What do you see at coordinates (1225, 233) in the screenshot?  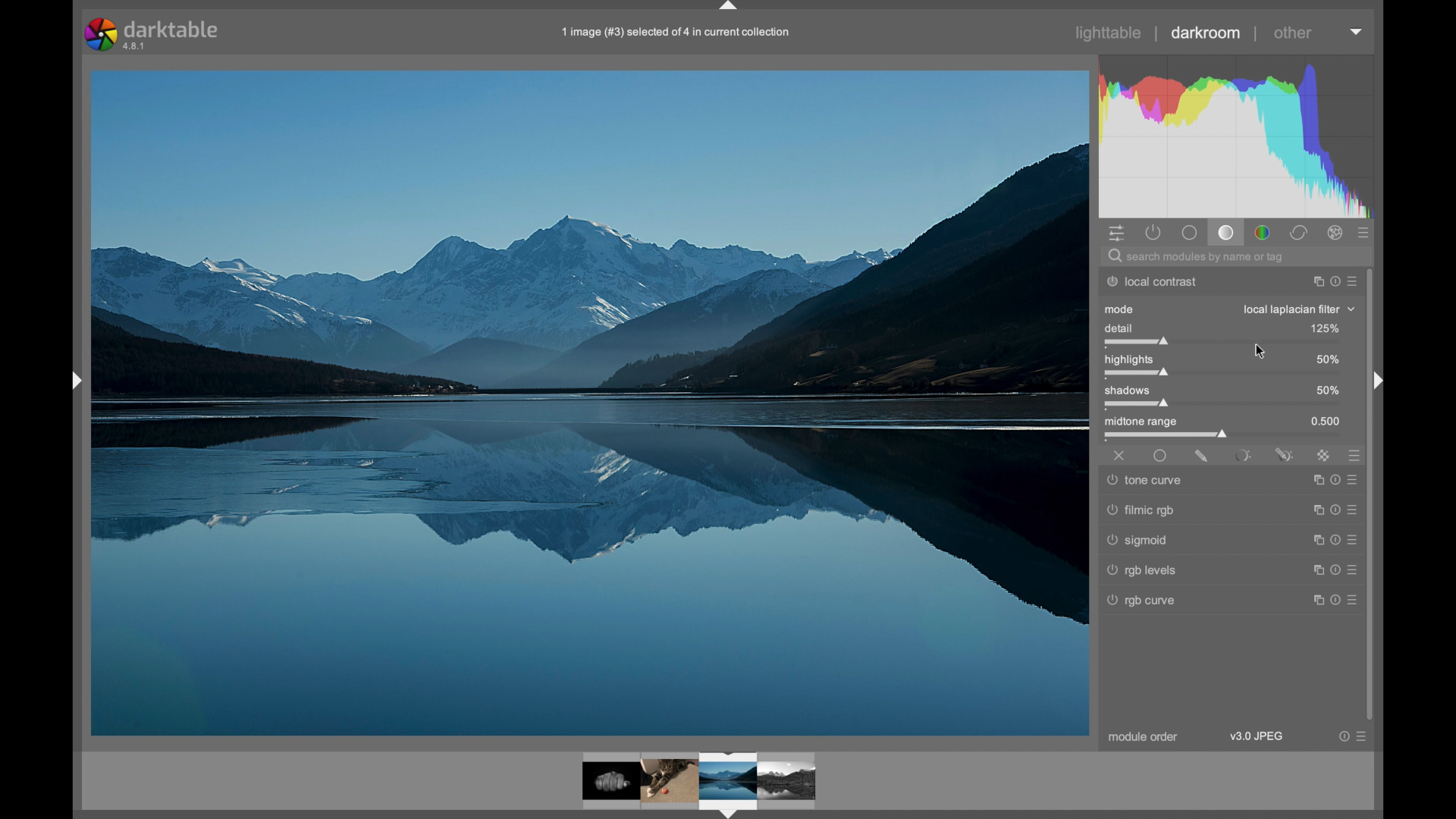 I see `tone` at bounding box center [1225, 233].